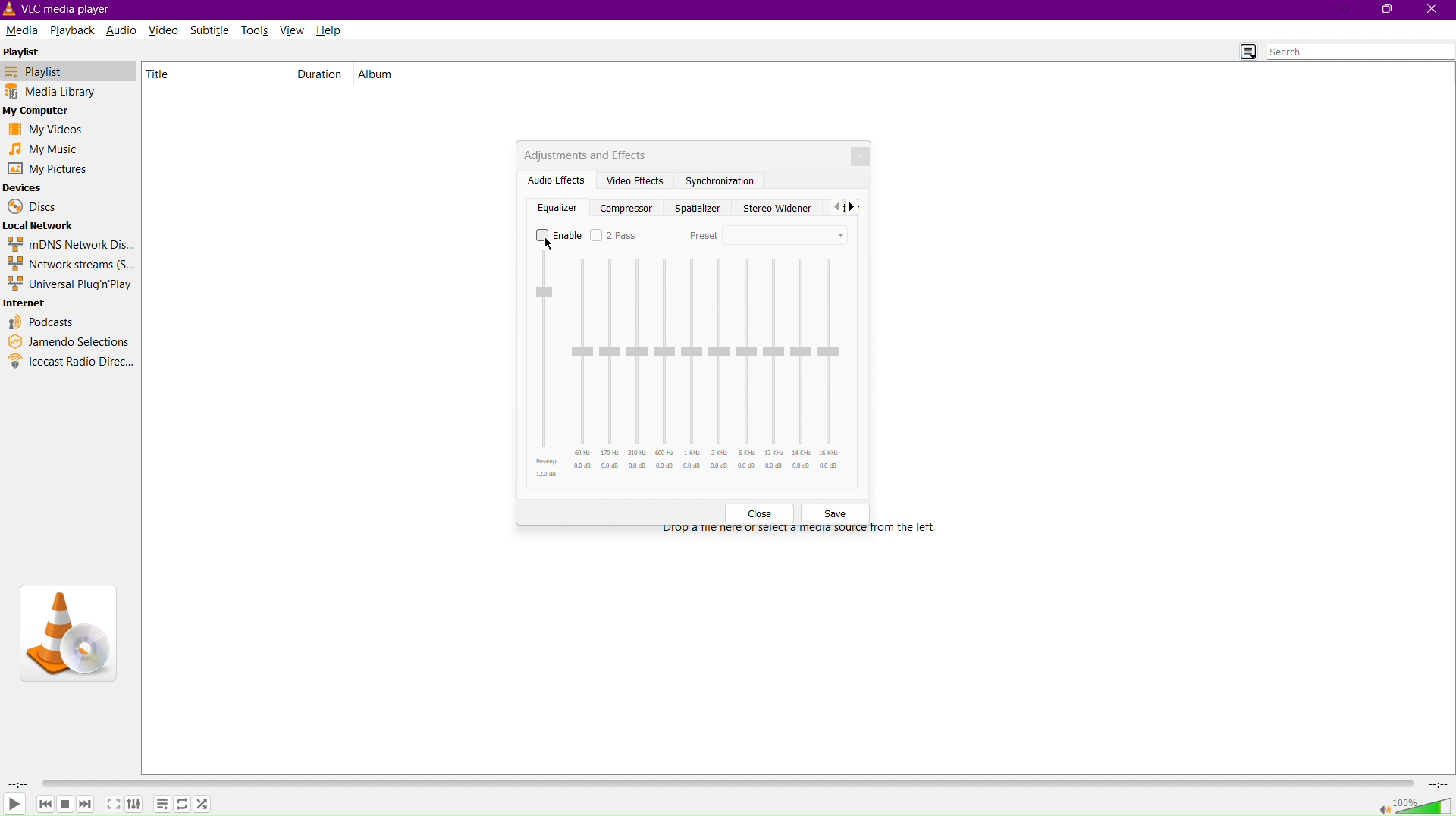 The image size is (1456, 816). Describe the element at coordinates (72, 245) in the screenshot. I see `mDNS Network ` at that location.